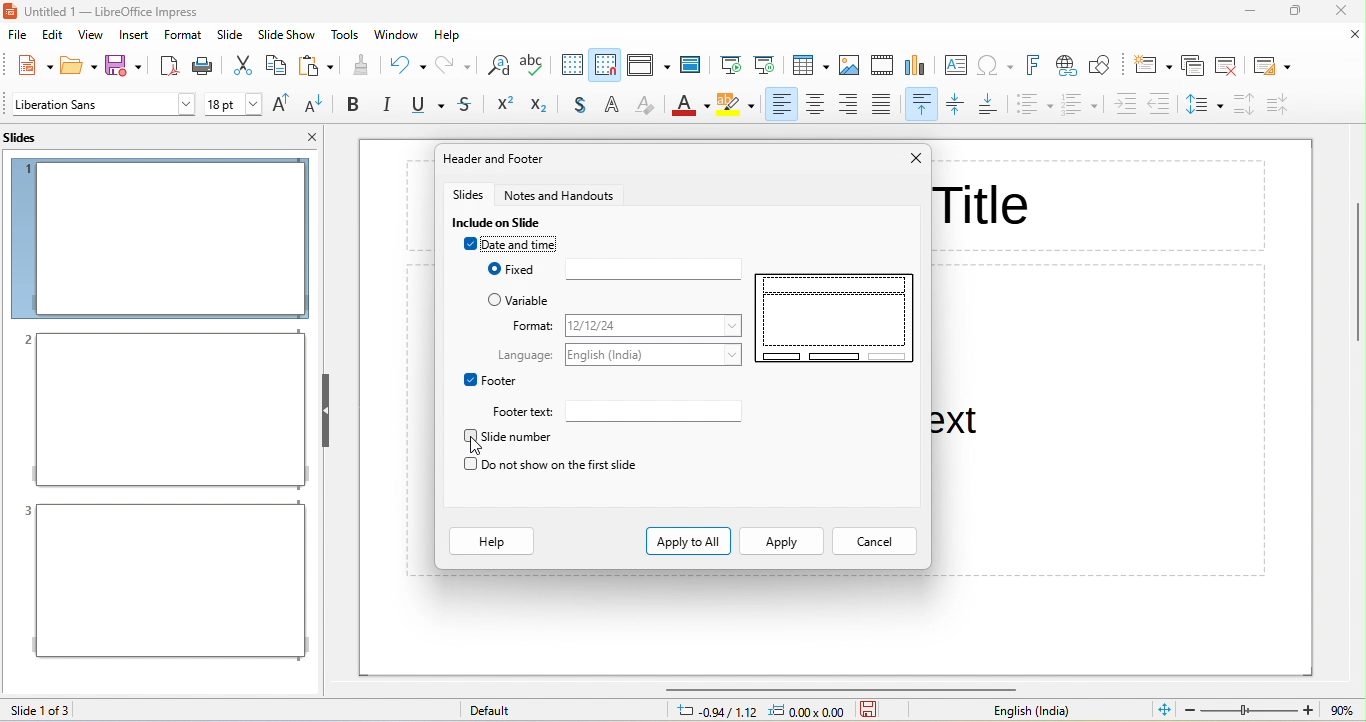  I want to click on apply outline attribute to font , so click(615, 105).